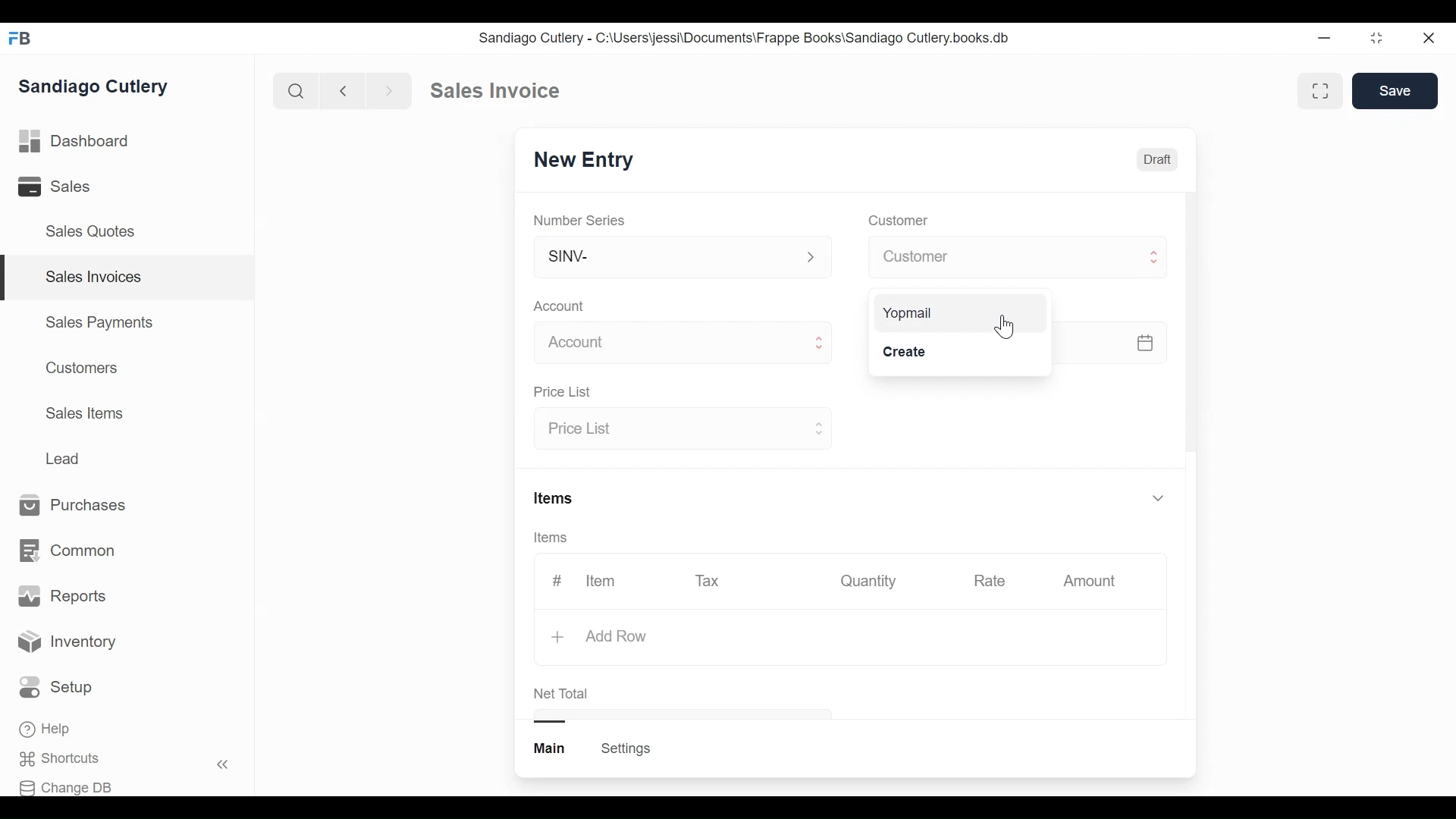 Image resolution: width=1456 pixels, height=819 pixels. Describe the element at coordinates (1323, 90) in the screenshot. I see `fullscreen` at that location.